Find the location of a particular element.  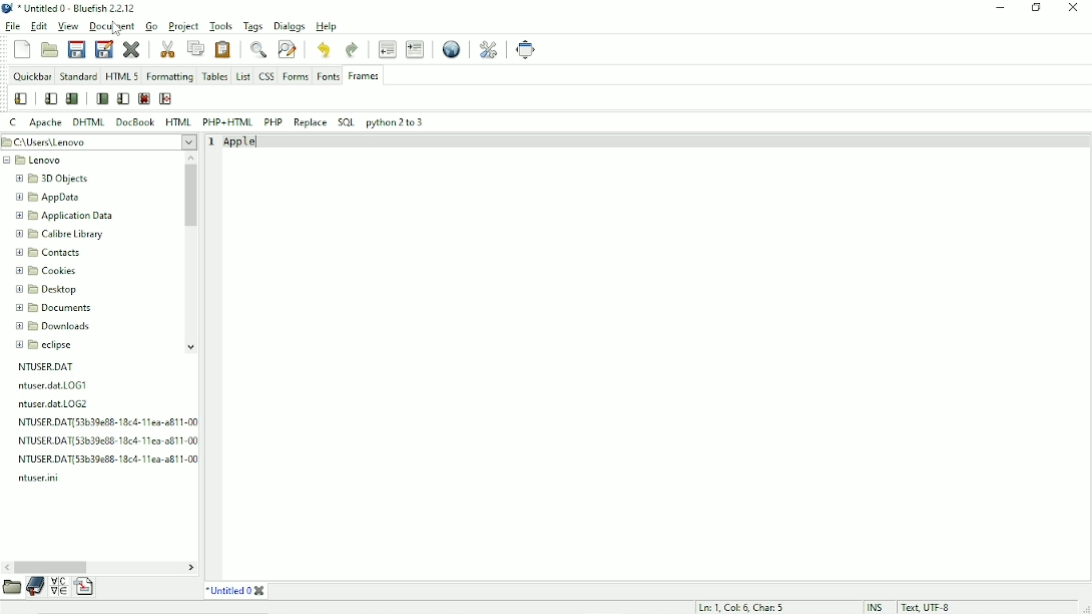

Minimize is located at coordinates (1000, 7).